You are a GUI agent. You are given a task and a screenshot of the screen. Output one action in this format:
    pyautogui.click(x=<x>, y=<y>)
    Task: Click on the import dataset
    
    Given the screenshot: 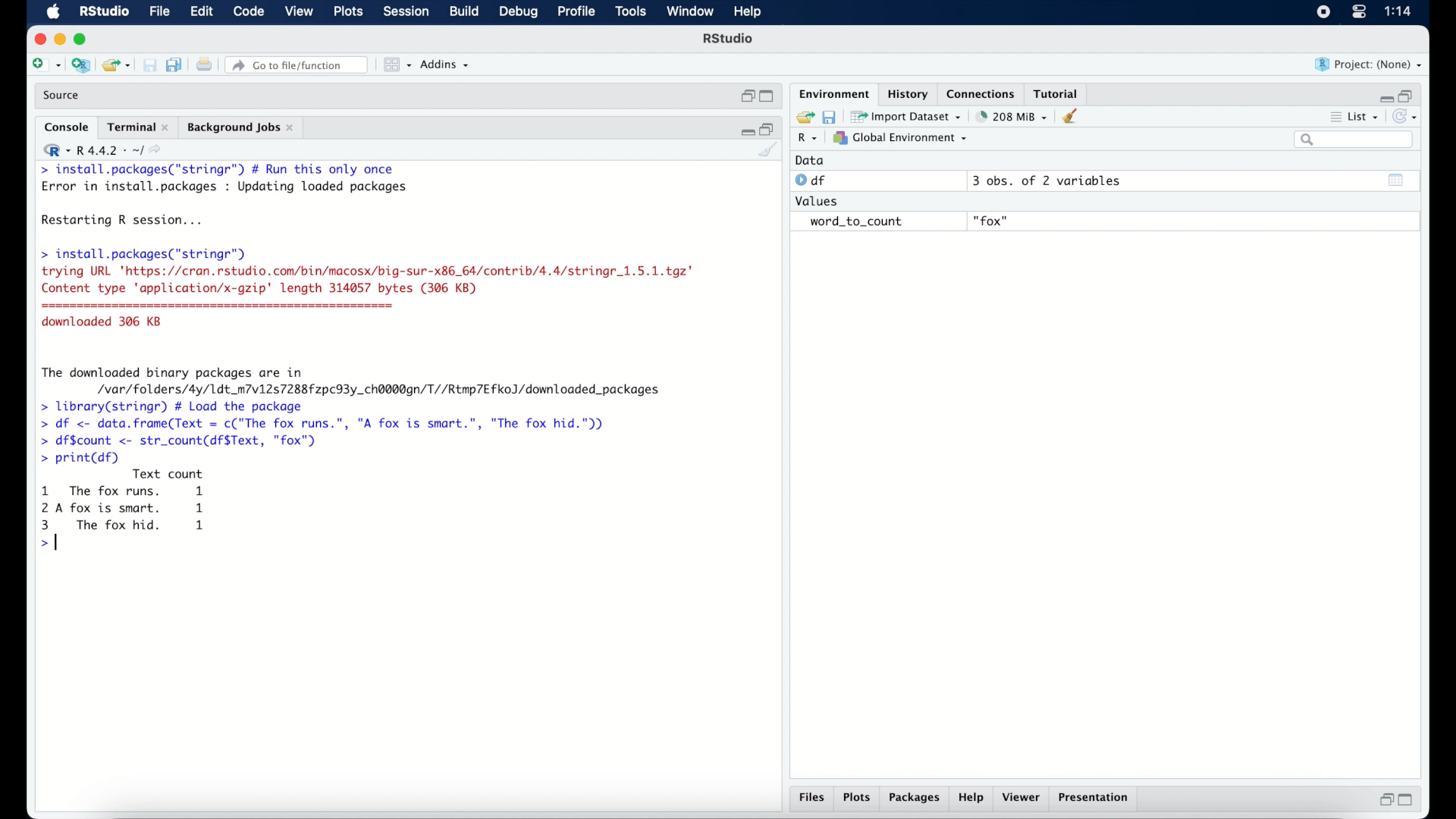 What is the action you would take?
    pyautogui.click(x=906, y=117)
    